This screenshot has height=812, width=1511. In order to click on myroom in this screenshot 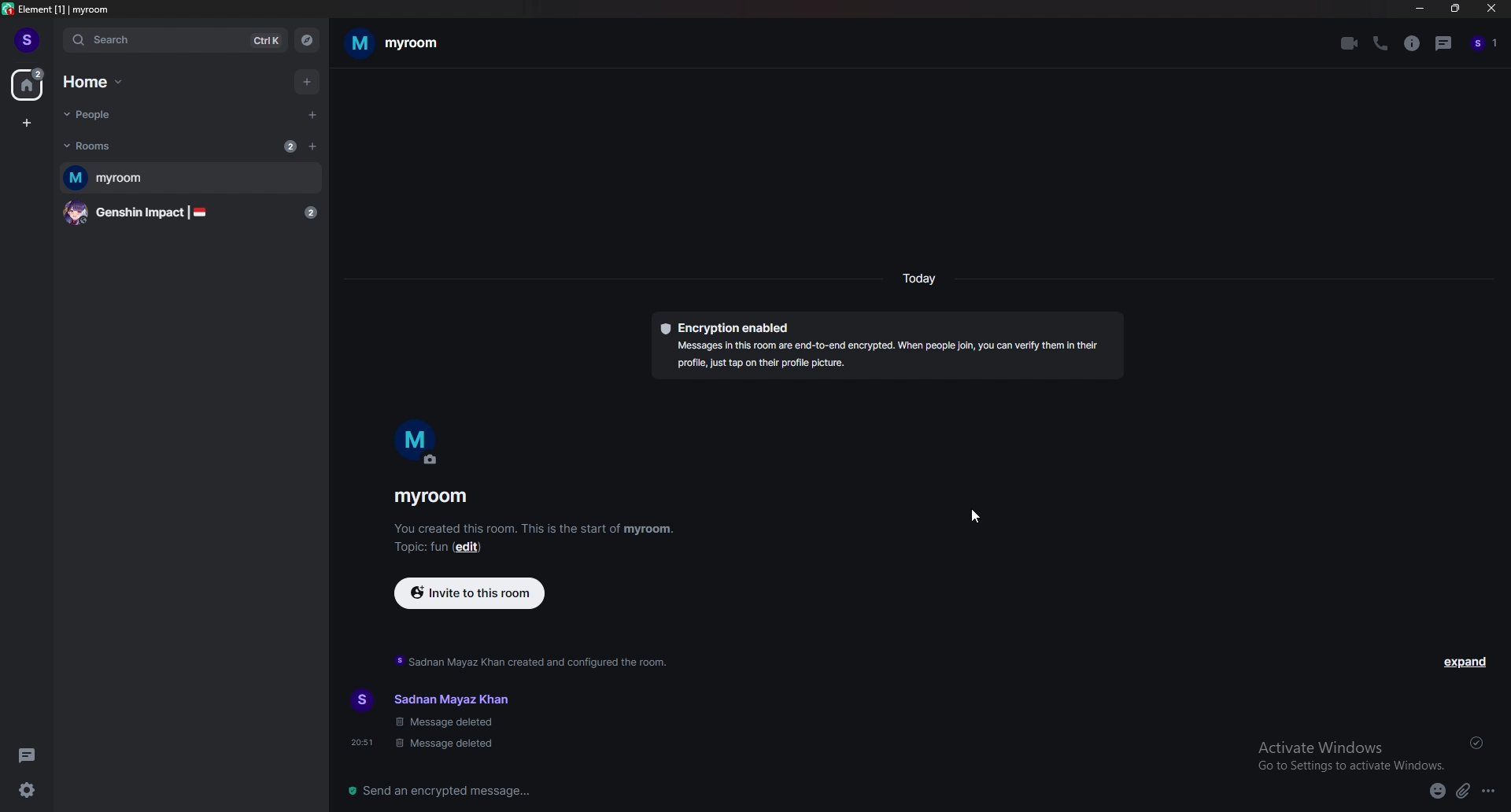, I will do `click(394, 42)`.